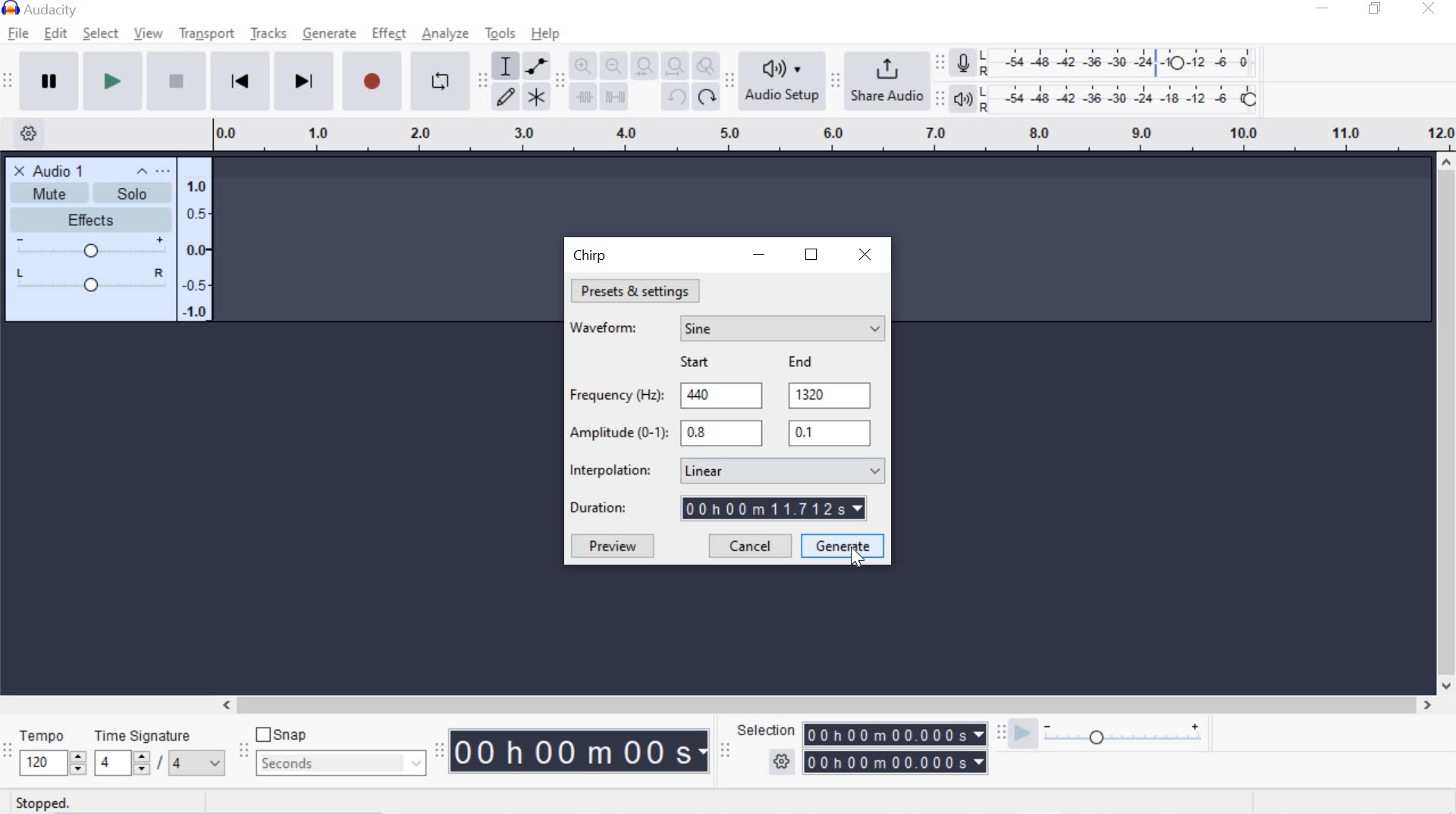 The width and height of the screenshot is (1456, 814). Describe the element at coordinates (40, 10) in the screenshot. I see `system name` at that location.